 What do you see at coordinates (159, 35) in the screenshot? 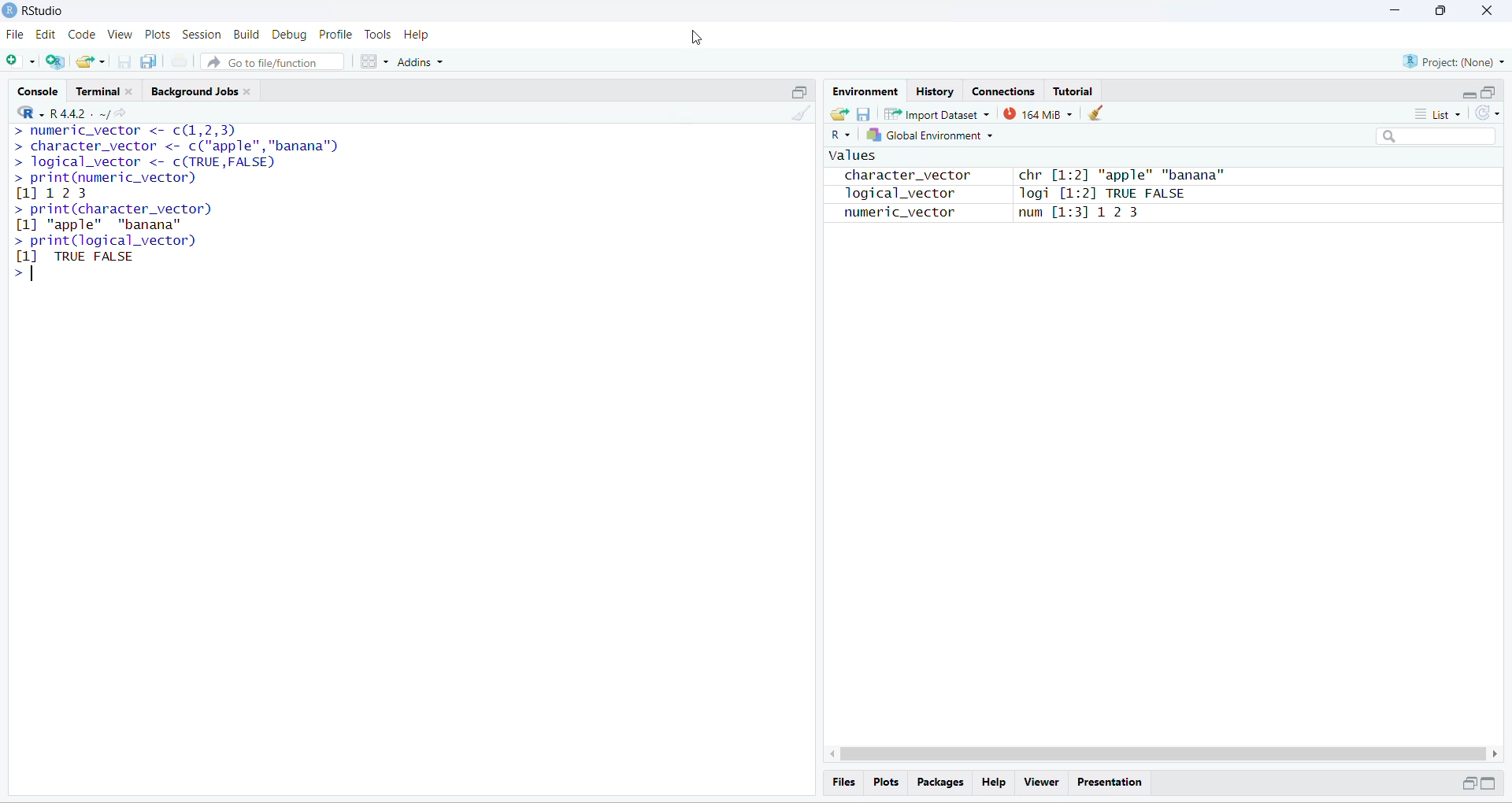
I see `Plots` at bounding box center [159, 35].